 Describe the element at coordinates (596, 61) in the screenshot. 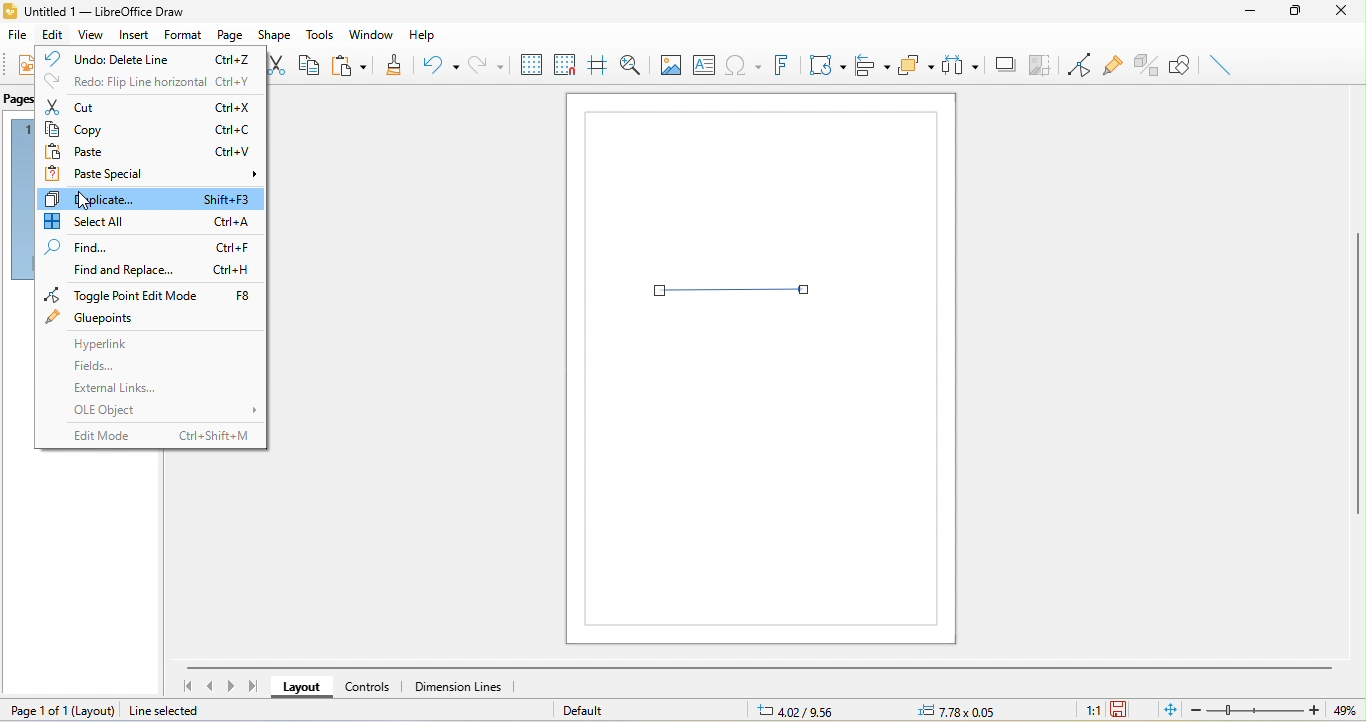

I see `helping while moving` at that location.